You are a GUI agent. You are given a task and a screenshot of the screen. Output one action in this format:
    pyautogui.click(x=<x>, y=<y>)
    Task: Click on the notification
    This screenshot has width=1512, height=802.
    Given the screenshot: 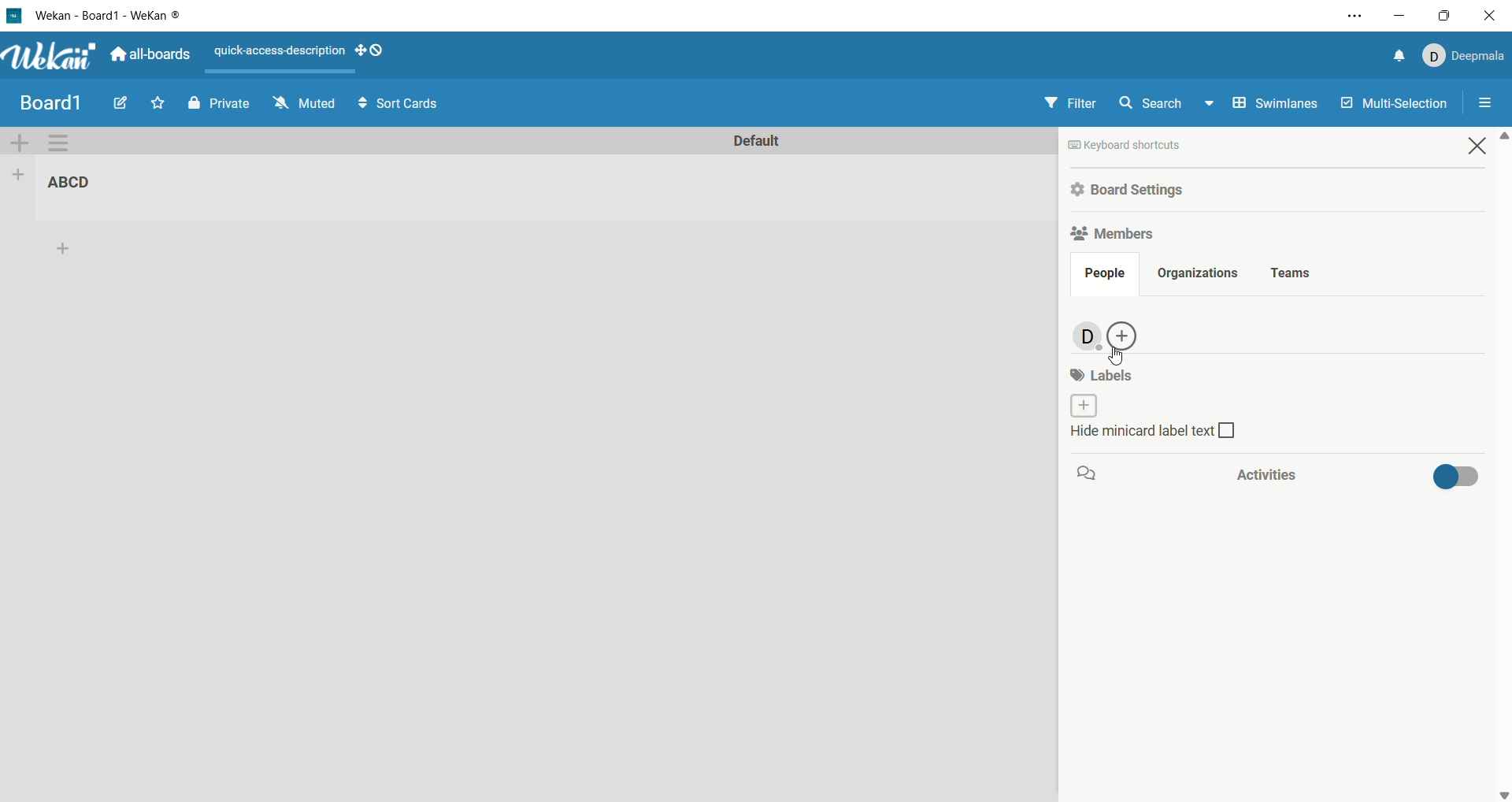 What is the action you would take?
    pyautogui.click(x=1401, y=56)
    